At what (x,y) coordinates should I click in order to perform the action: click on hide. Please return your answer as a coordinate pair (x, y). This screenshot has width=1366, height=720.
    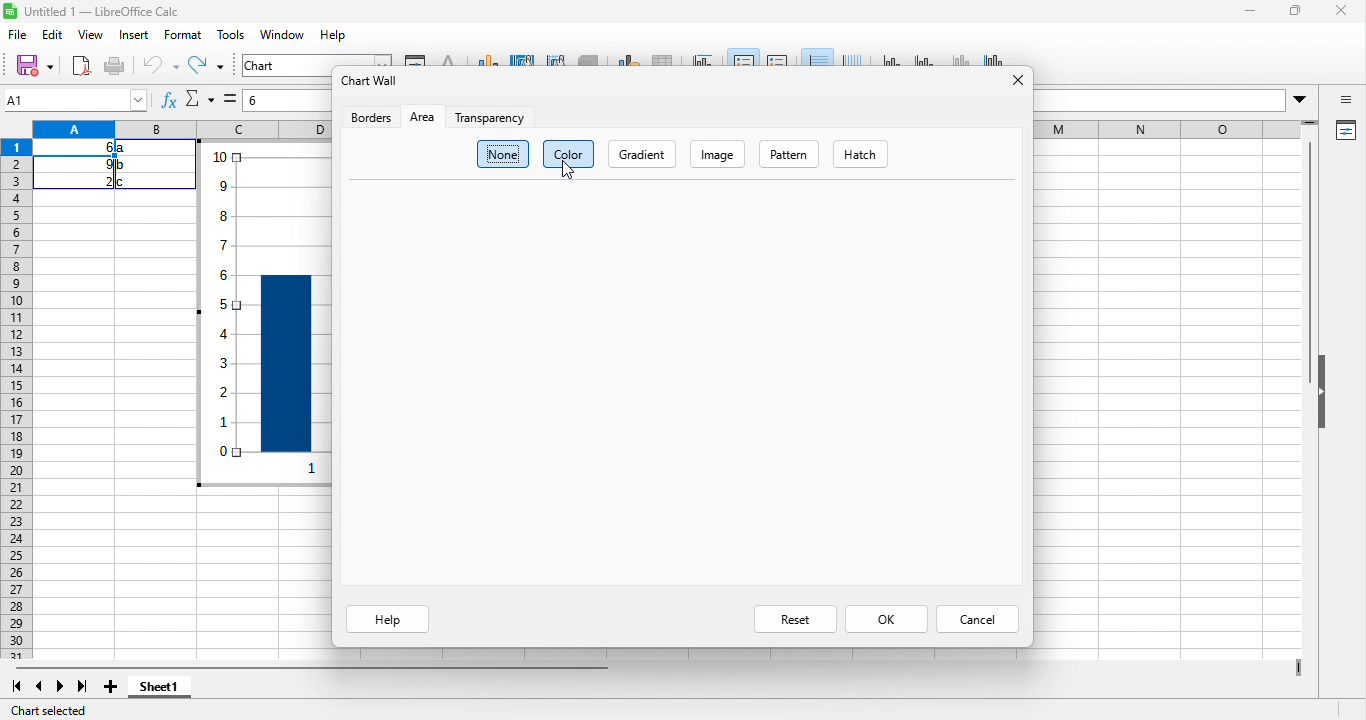
    Looking at the image, I should click on (1325, 418).